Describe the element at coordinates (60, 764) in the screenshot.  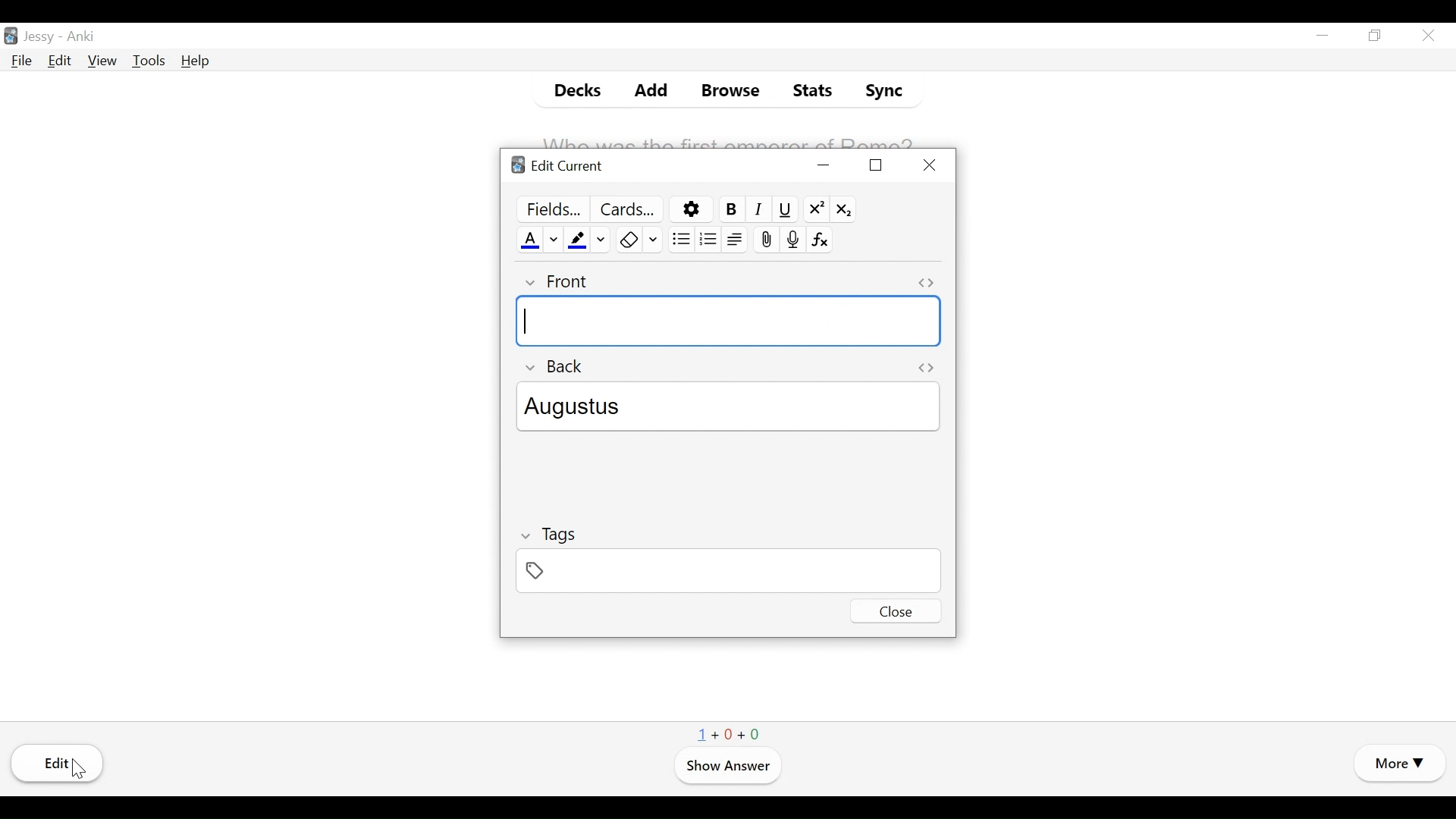
I see `Edi` at that location.